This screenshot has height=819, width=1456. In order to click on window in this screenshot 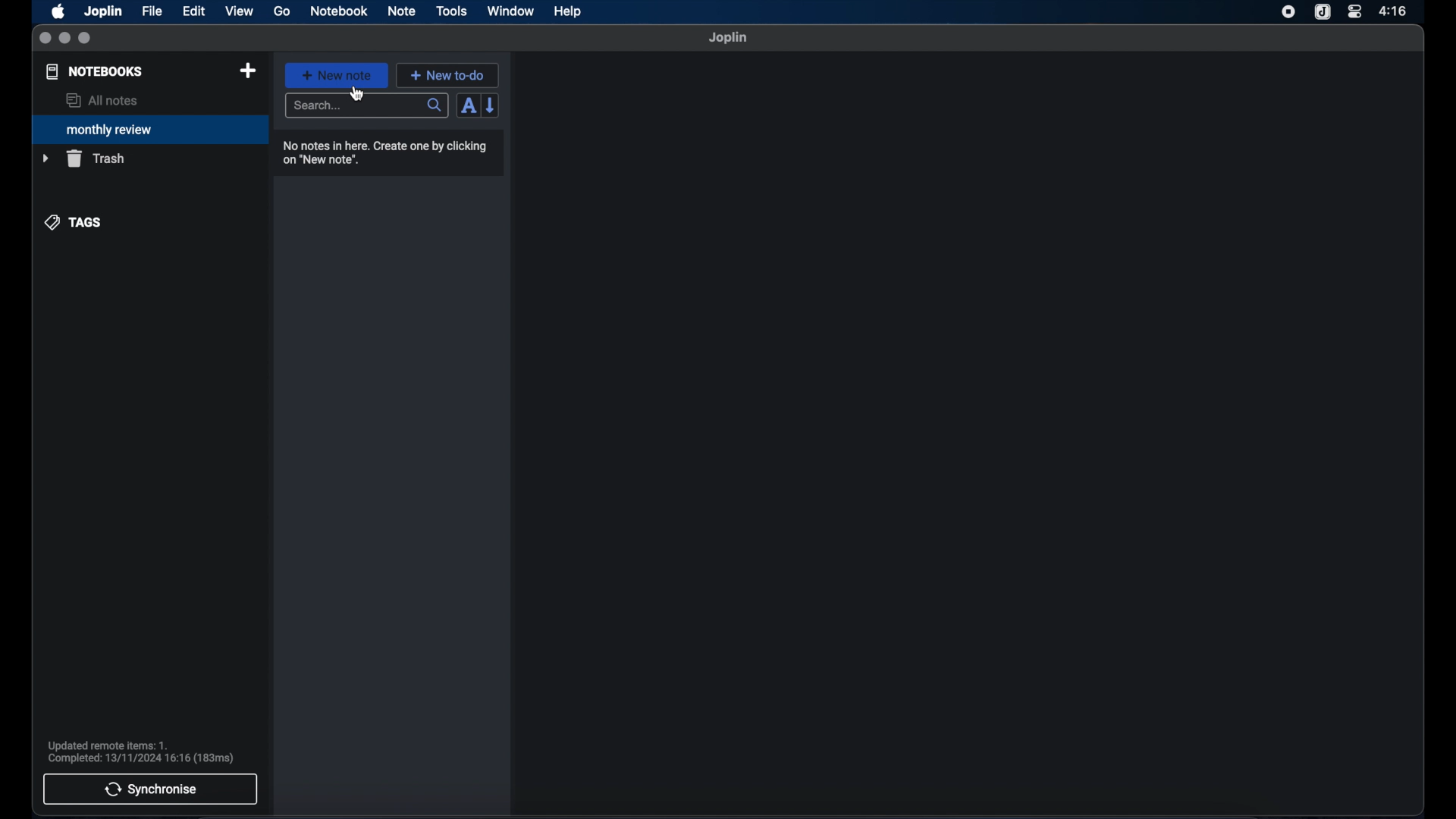, I will do `click(511, 11)`.